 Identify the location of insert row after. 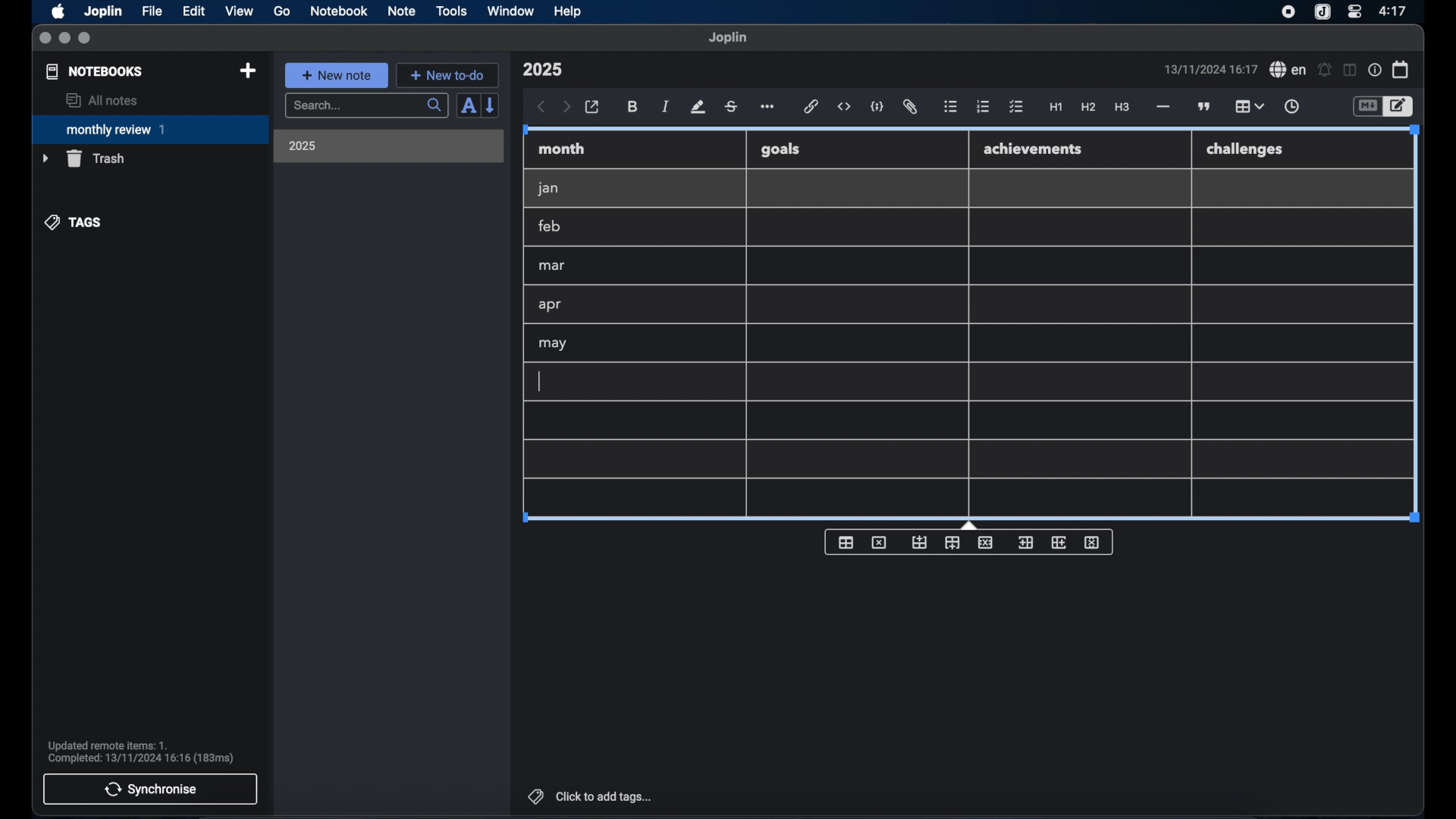
(952, 543).